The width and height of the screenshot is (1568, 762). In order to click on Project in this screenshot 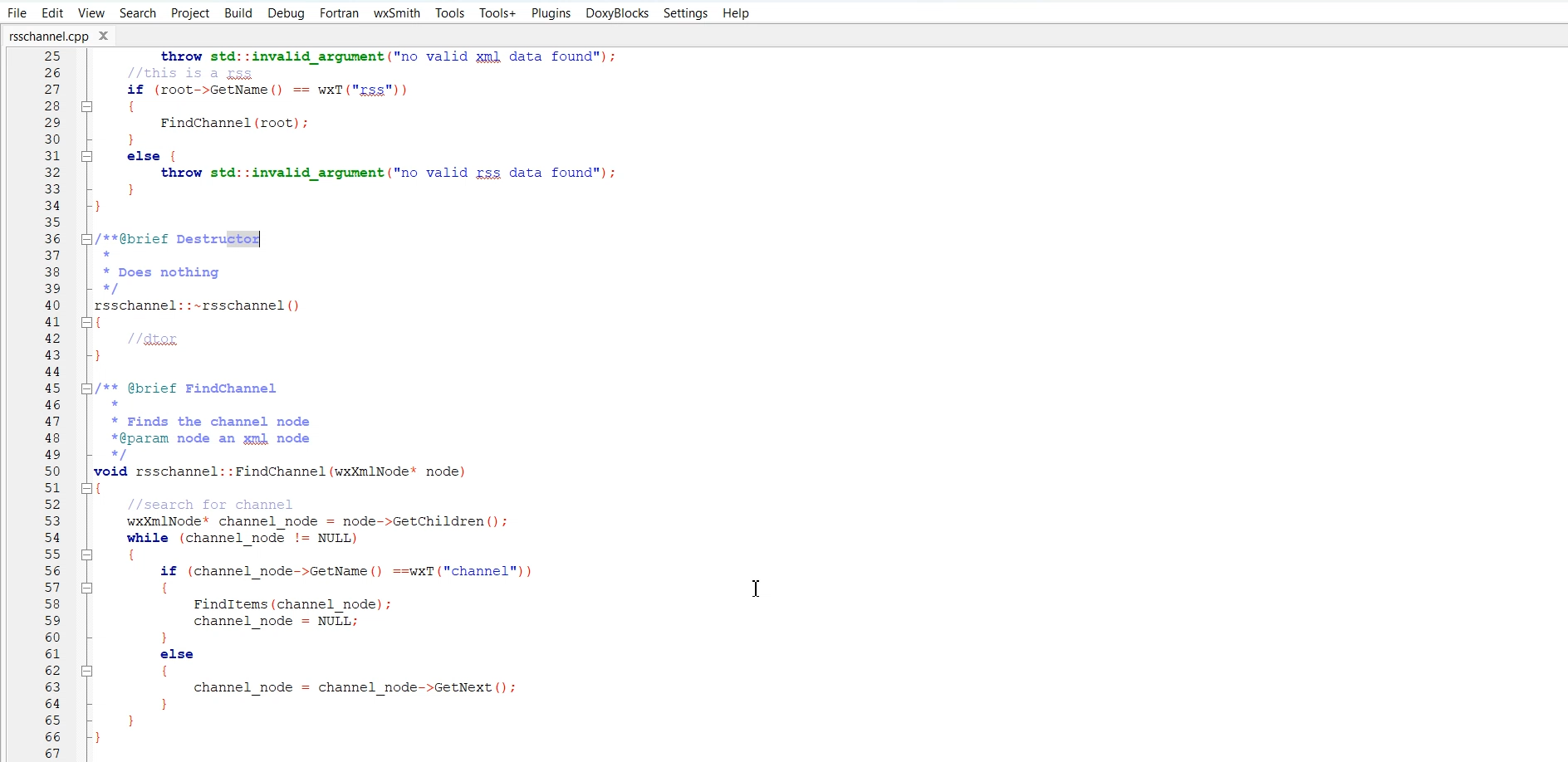, I will do `click(189, 13)`.